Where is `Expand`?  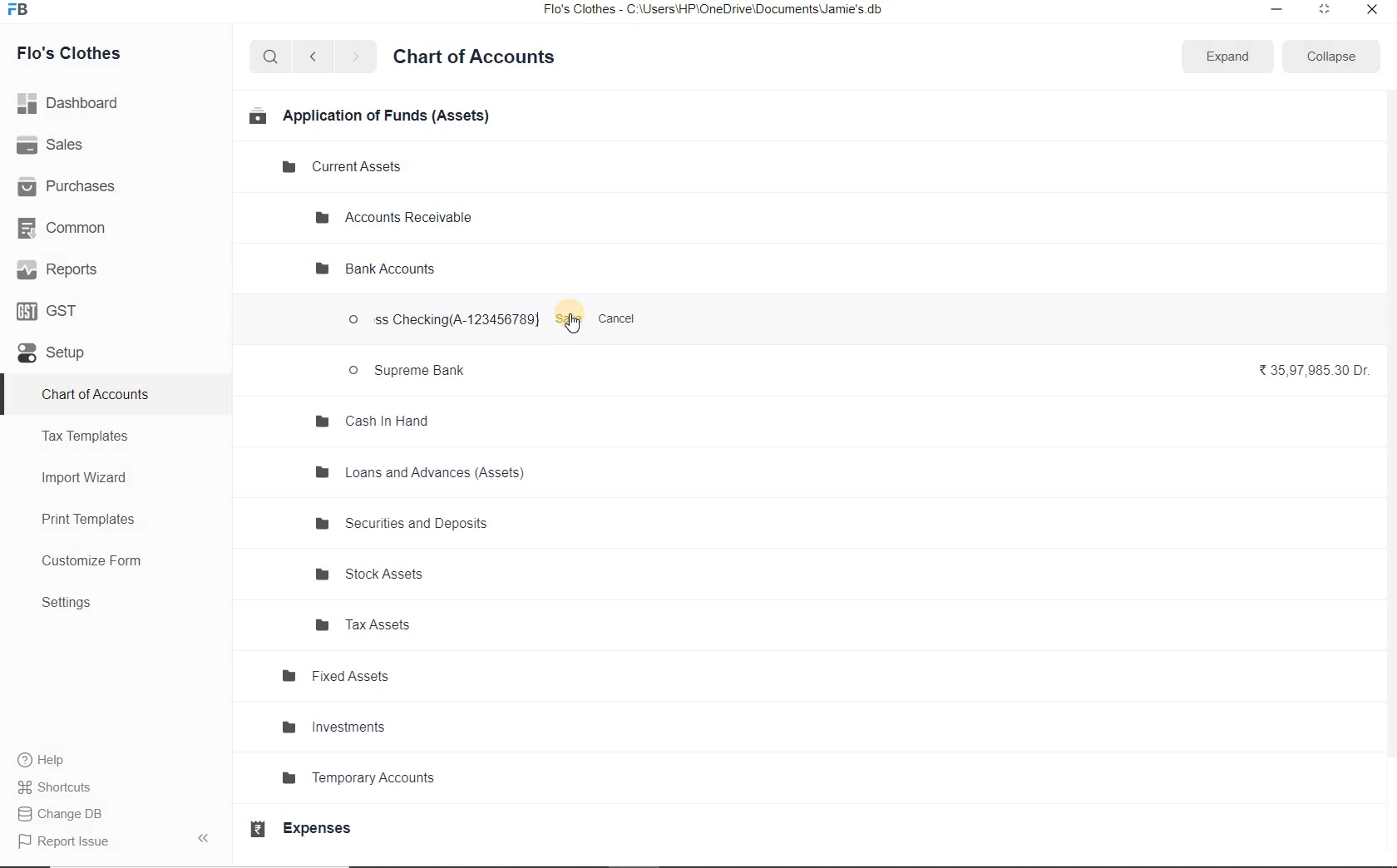 Expand is located at coordinates (1228, 56).